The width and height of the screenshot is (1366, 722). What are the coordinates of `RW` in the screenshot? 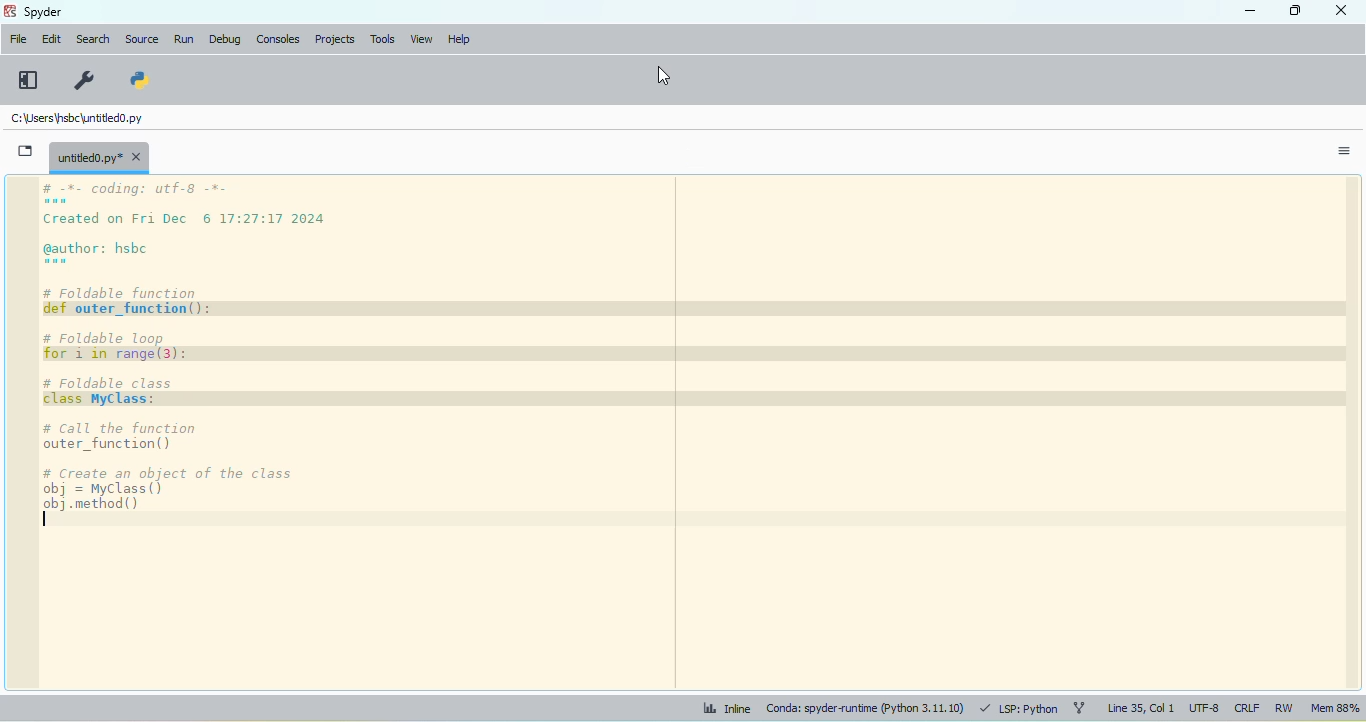 It's located at (1285, 708).